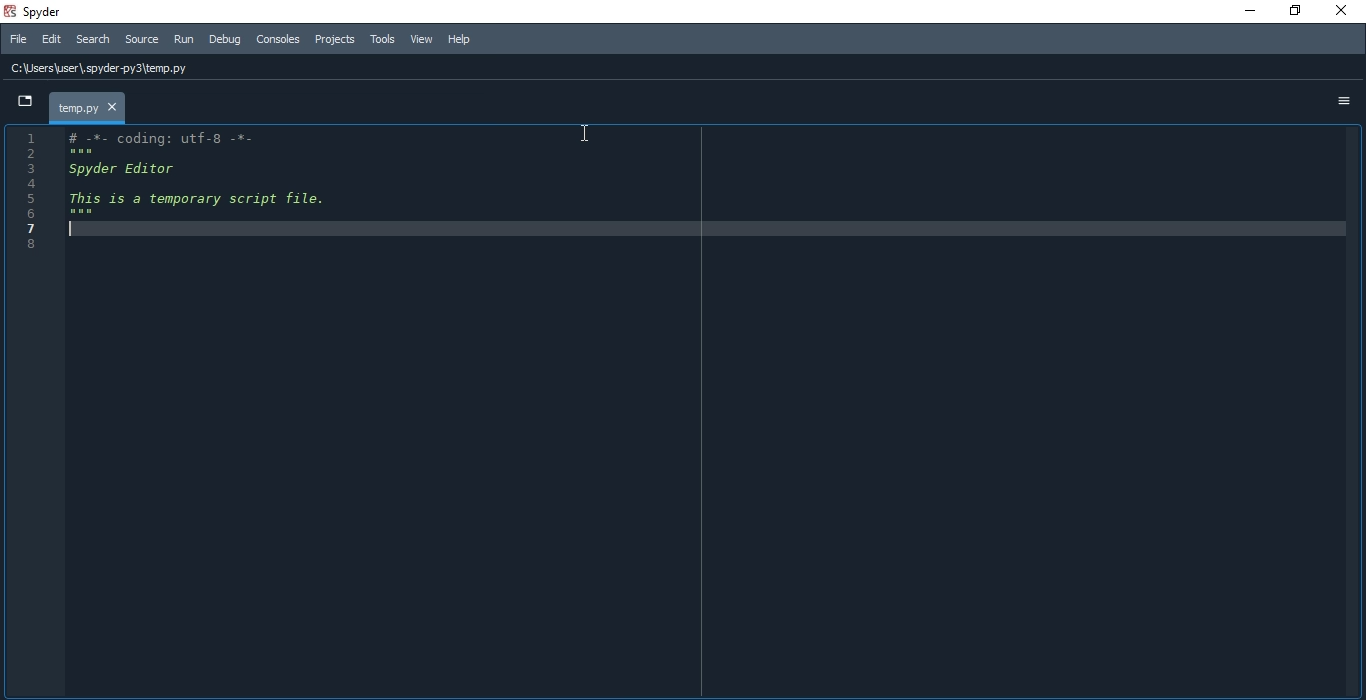  I want to click on Consoles, so click(280, 41).